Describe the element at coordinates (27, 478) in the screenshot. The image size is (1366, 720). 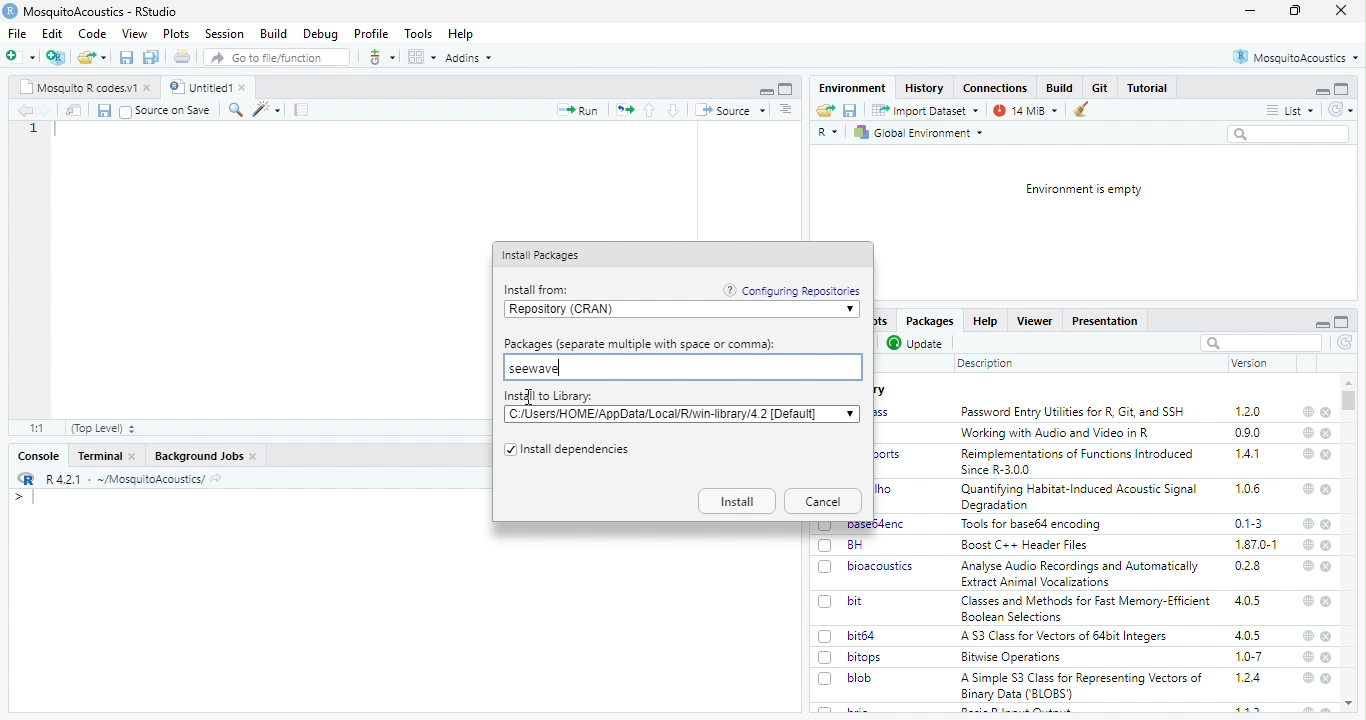
I see `logo` at that location.